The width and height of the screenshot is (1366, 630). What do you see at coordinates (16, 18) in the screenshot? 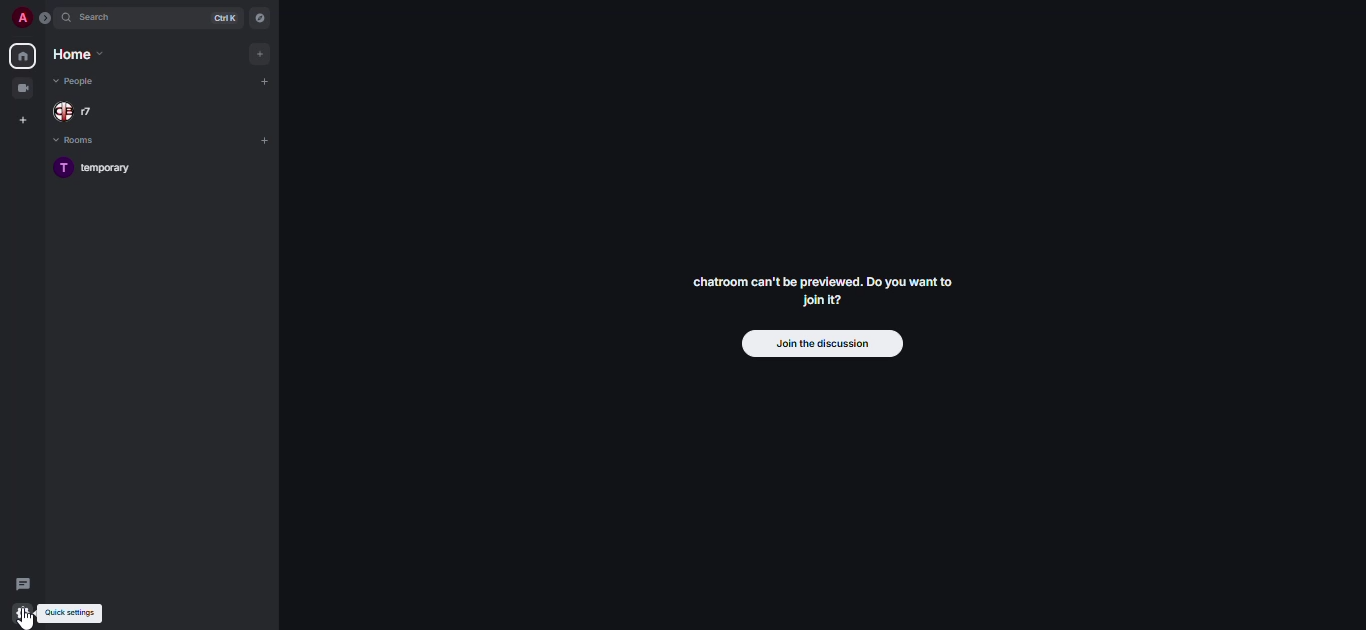
I see `profile` at bounding box center [16, 18].